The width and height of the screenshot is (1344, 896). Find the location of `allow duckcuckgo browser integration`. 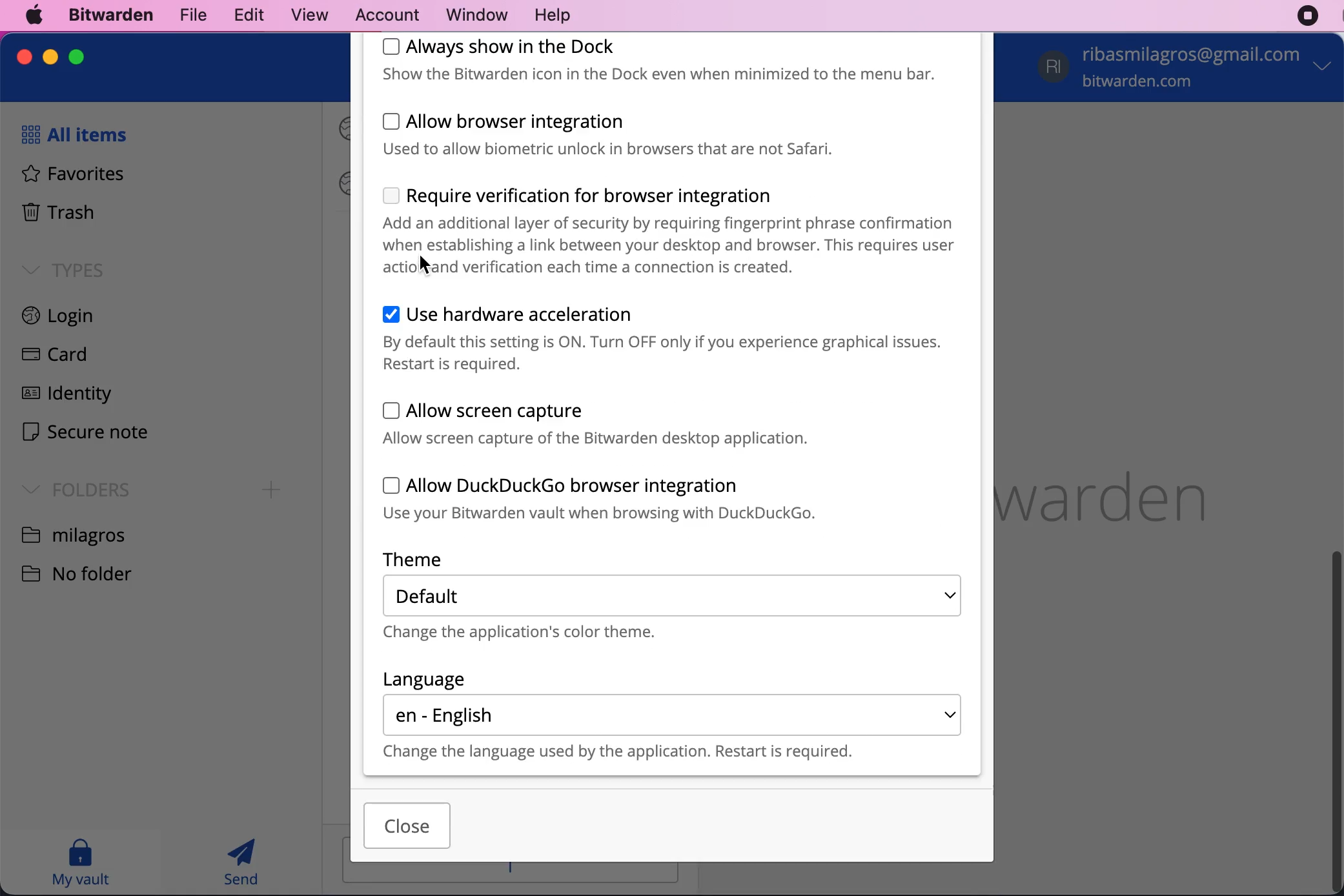

allow duckcuckgo browser integration is located at coordinates (629, 500).